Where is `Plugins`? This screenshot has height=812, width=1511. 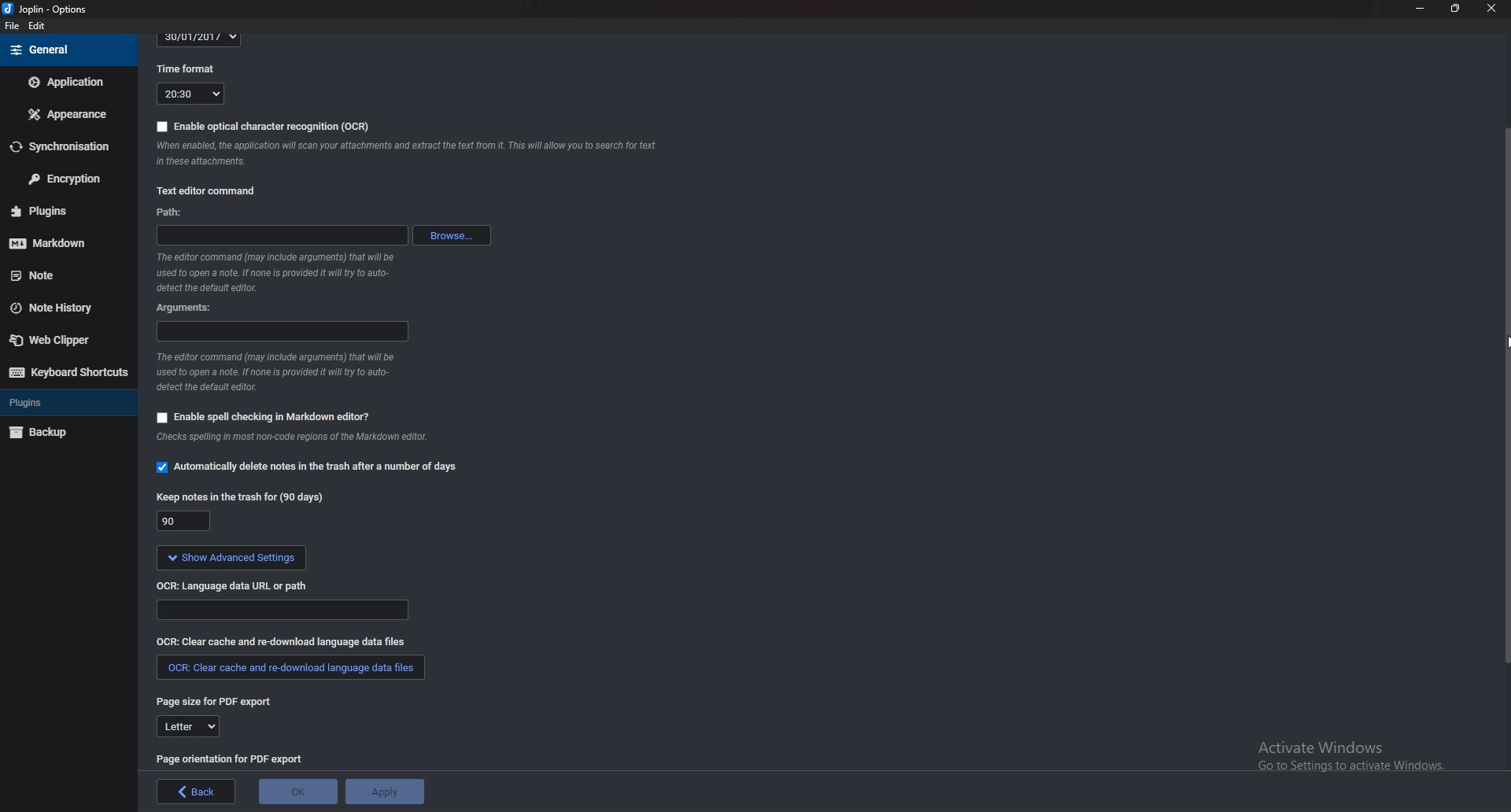 Plugins is located at coordinates (61, 210).